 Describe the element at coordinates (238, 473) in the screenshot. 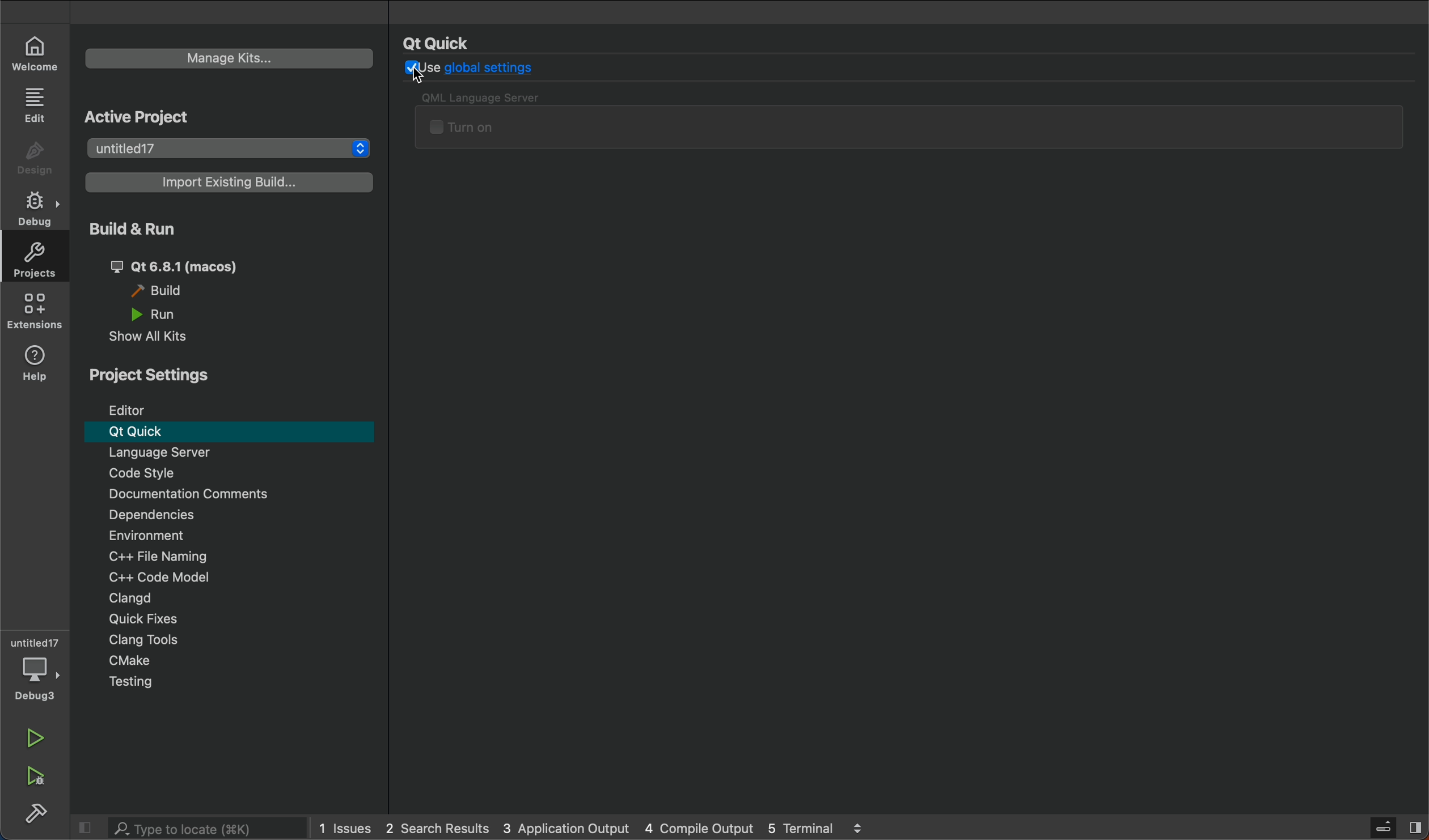

I see `code style` at that location.